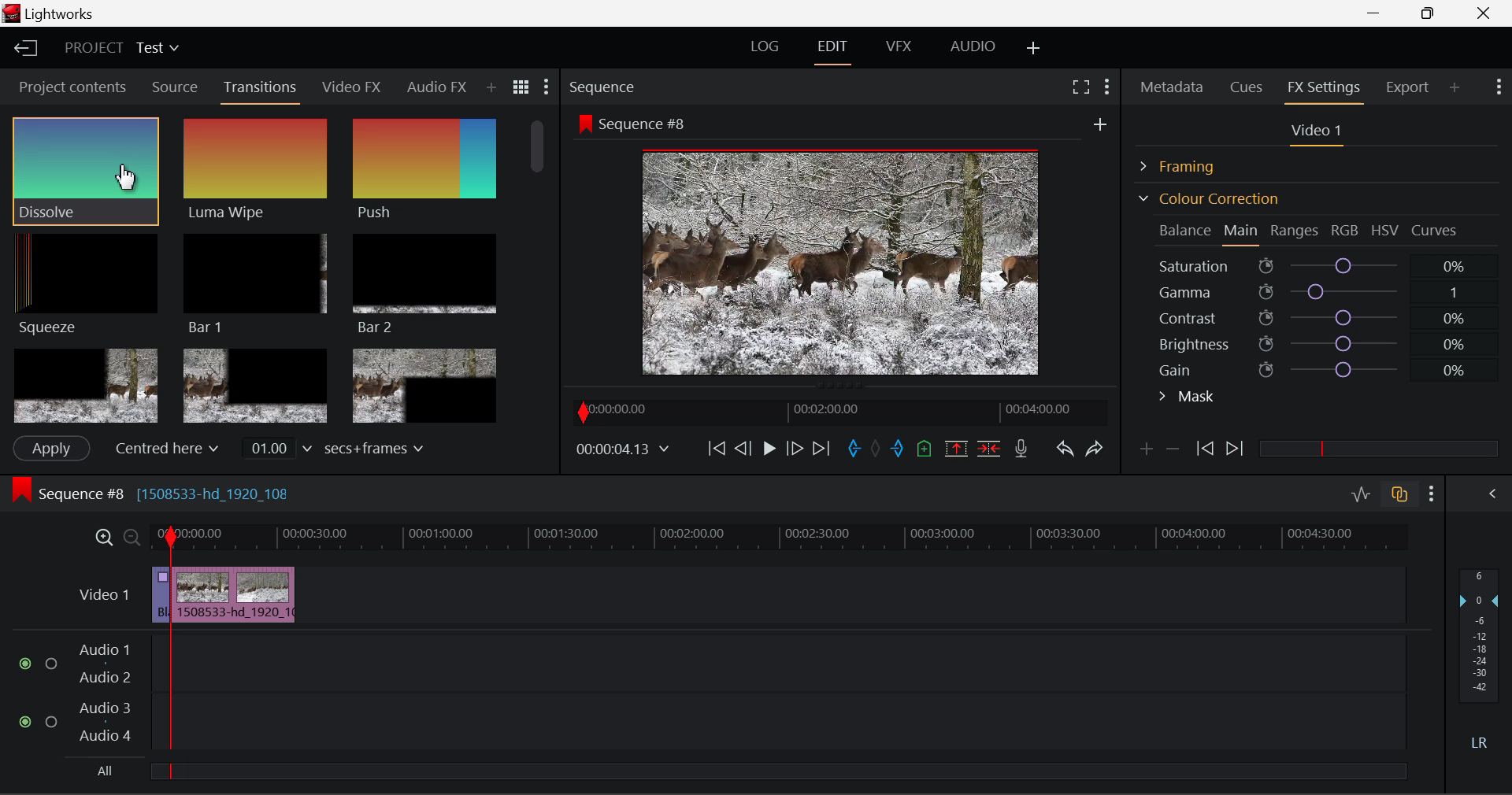 The height and width of the screenshot is (795, 1512). I want to click on Clip 1 Segment, so click(160, 596).